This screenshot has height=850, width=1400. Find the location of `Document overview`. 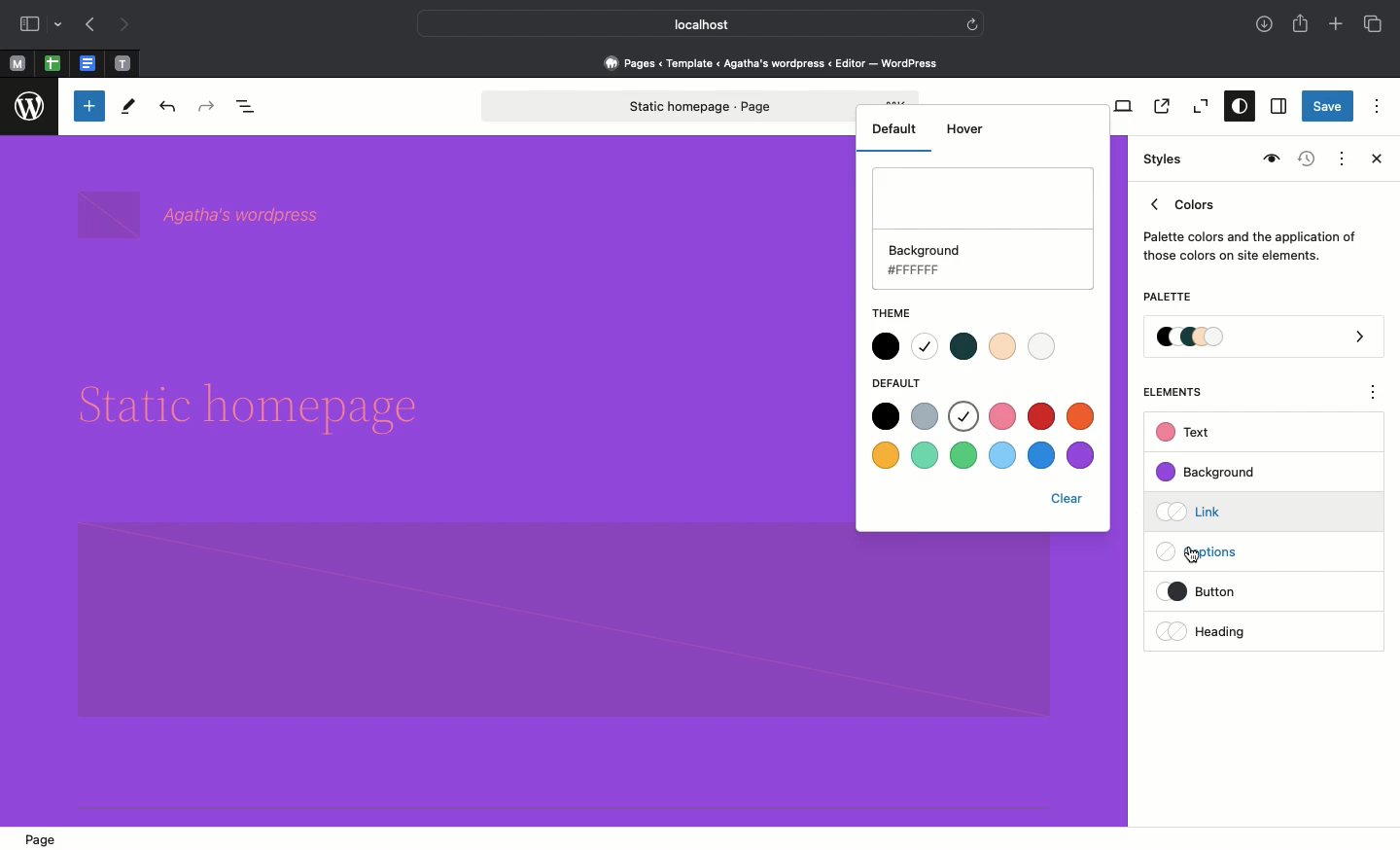

Document overview is located at coordinates (250, 108).